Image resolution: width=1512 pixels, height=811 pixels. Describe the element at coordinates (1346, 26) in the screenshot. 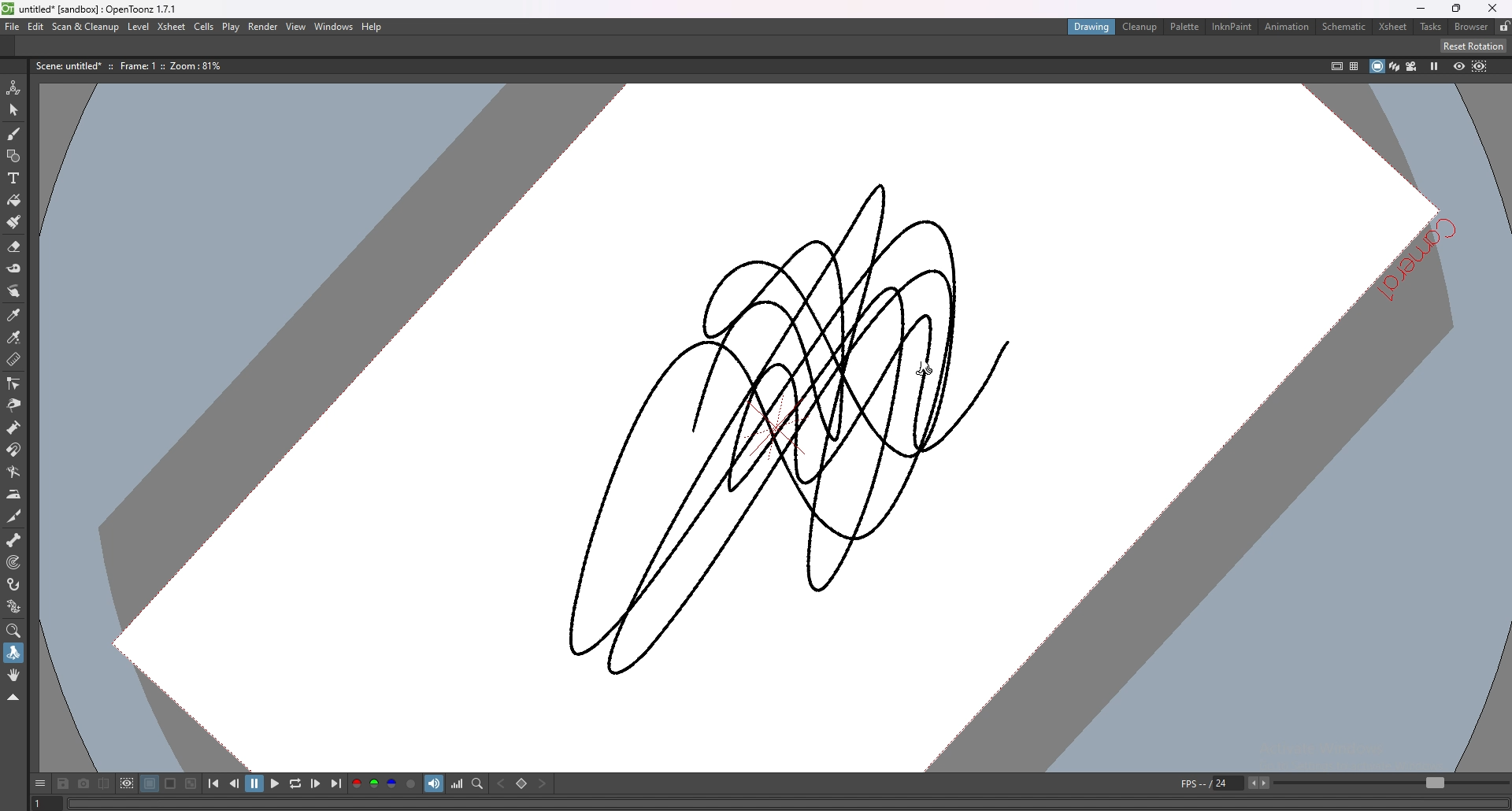

I see `schematic` at that location.